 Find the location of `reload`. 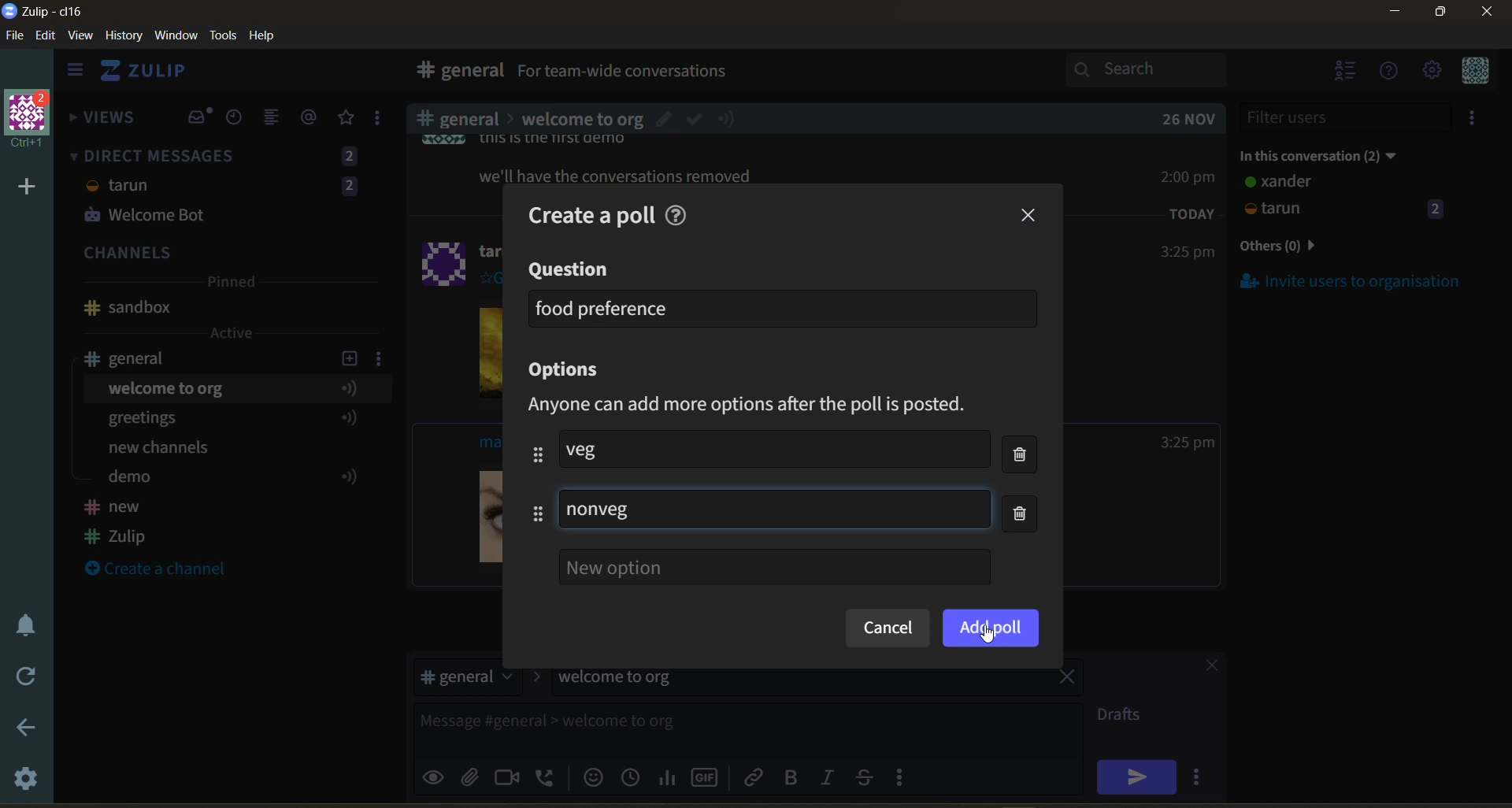

reload is located at coordinates (22, 676).